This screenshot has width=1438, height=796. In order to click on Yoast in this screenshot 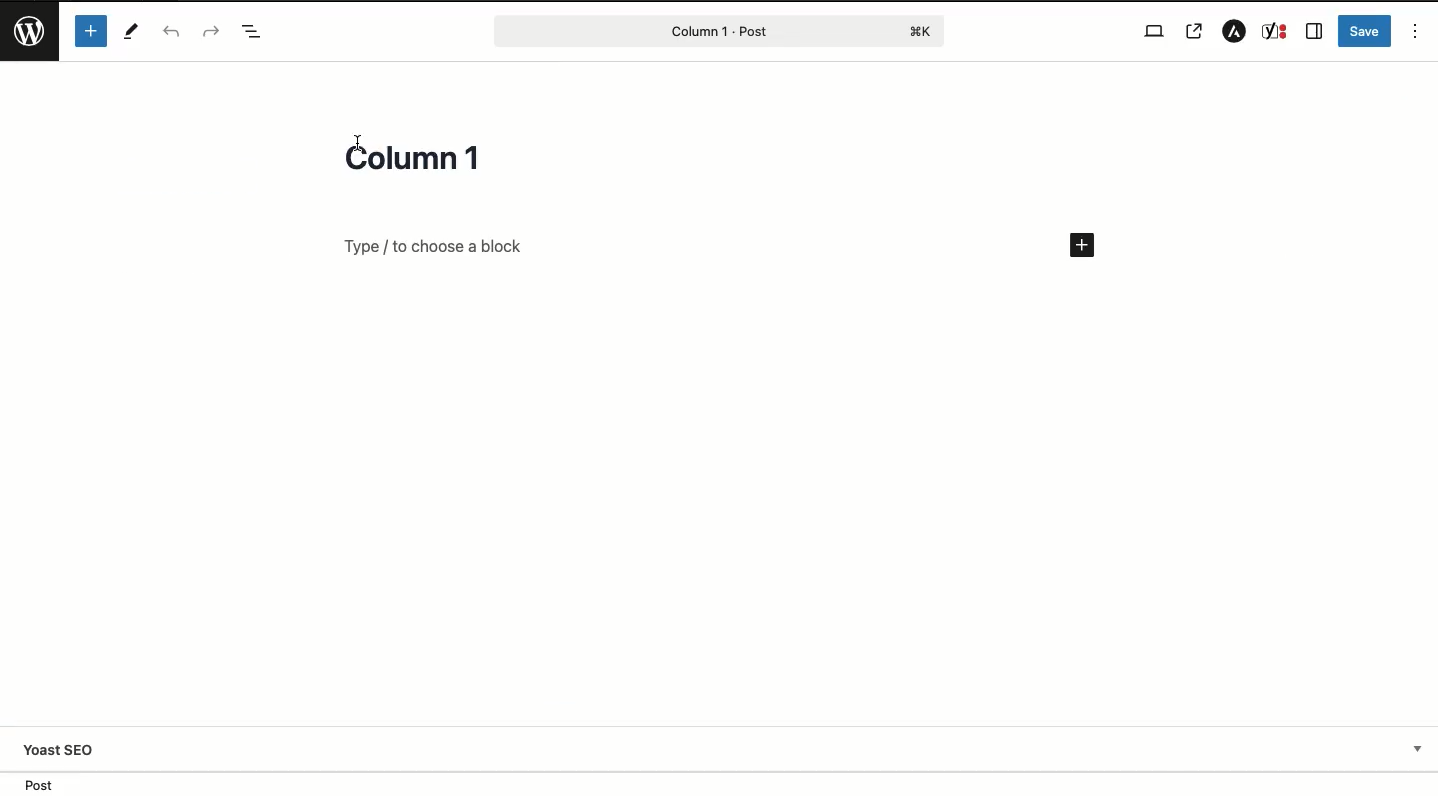, I will do `click(1276, 32)`.